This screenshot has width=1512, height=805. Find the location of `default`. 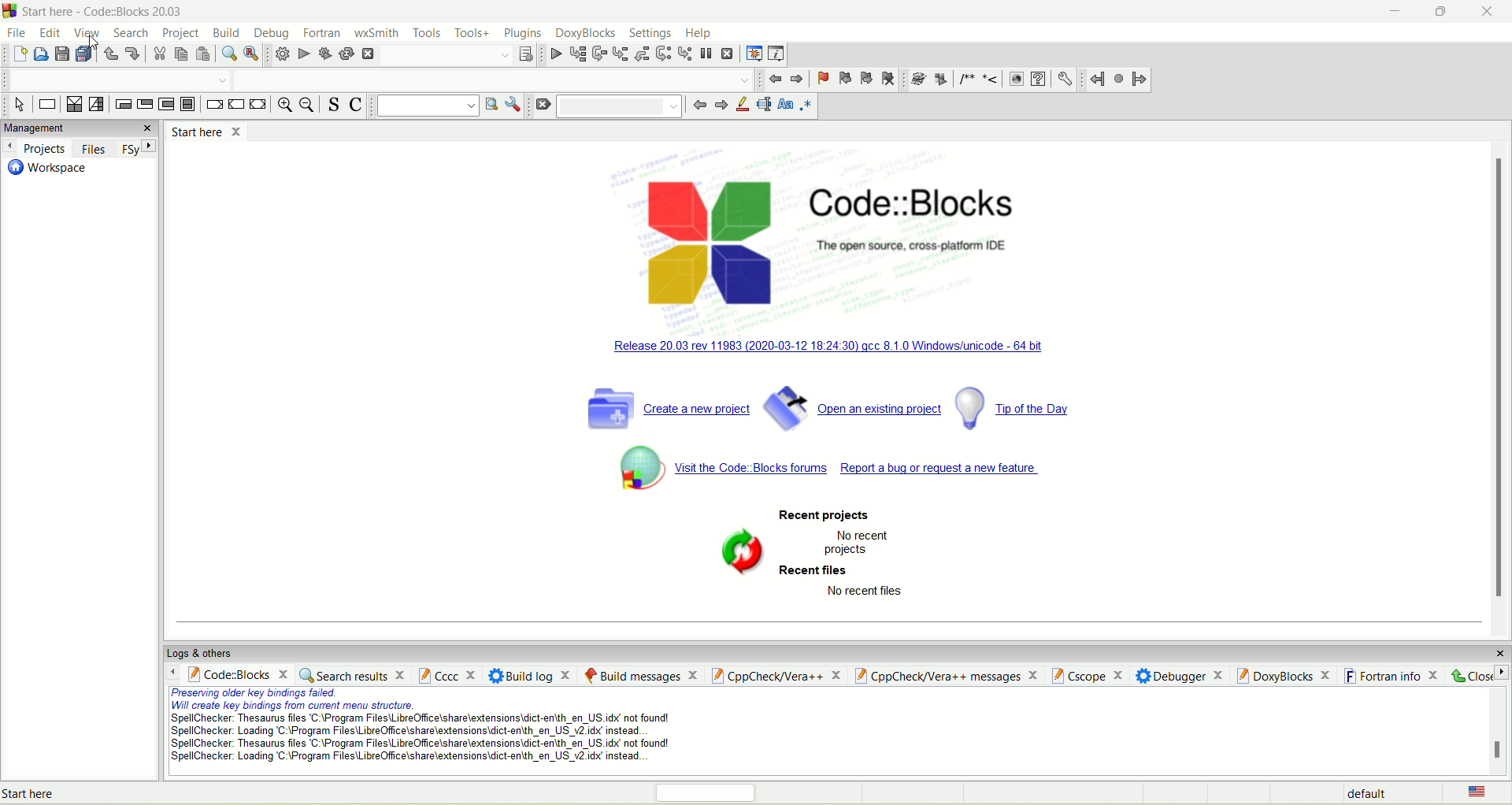

default is located at coordinates (1364, 793).